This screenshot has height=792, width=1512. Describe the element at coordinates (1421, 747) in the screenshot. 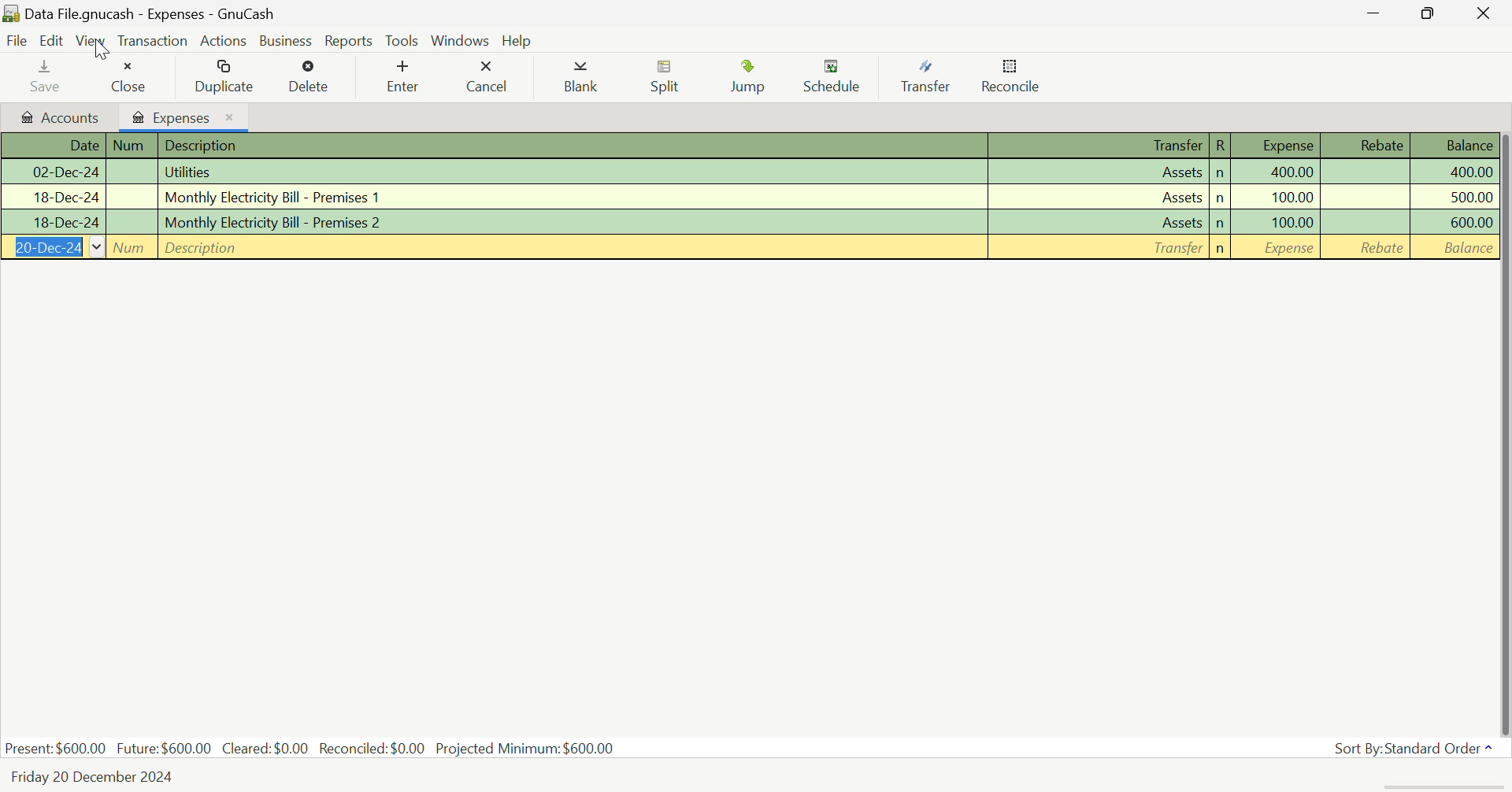

I see `Sort By: Standard Order` at that location.